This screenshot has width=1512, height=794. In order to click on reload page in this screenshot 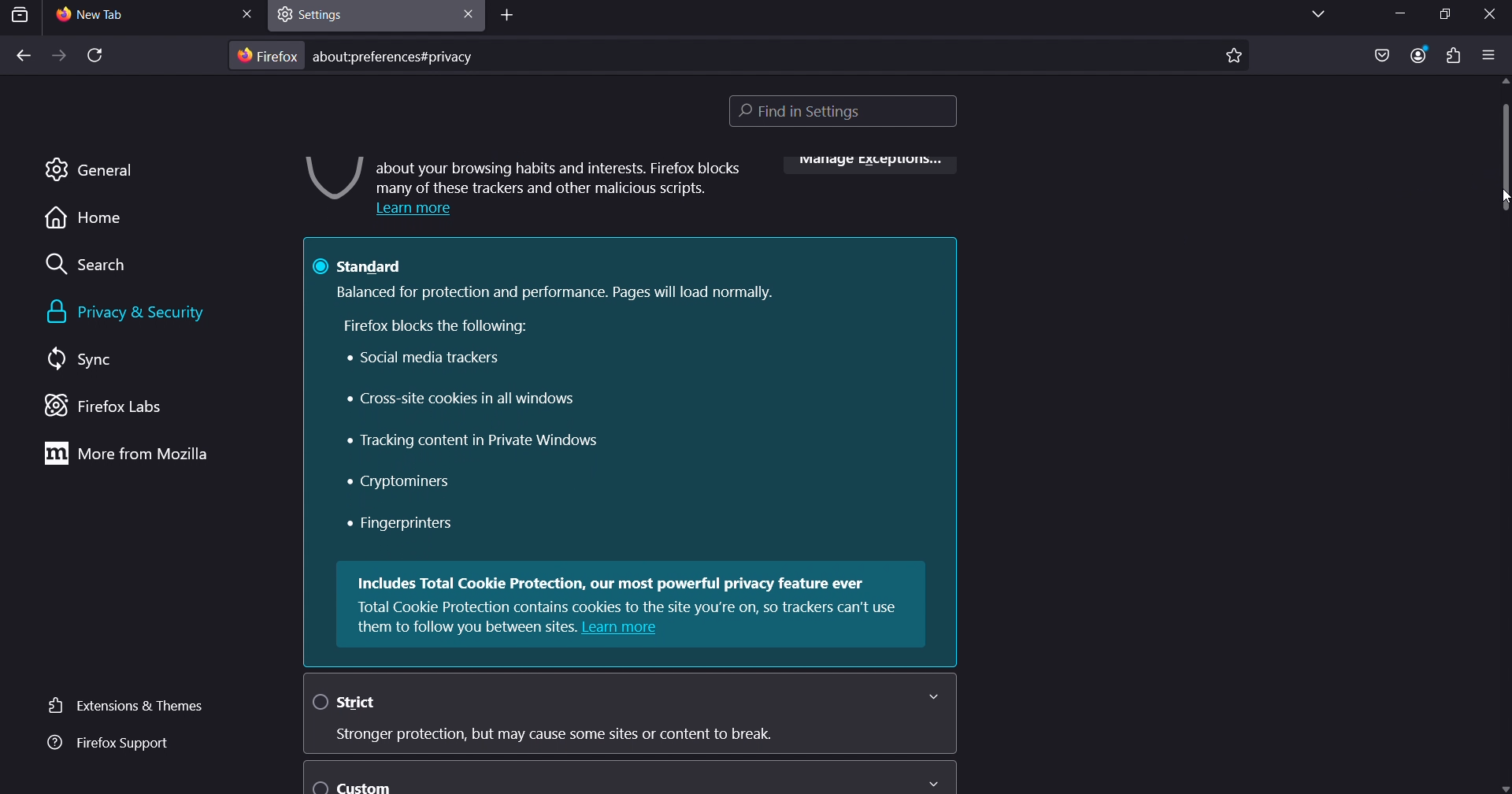, I will do `click(94, 58)`.